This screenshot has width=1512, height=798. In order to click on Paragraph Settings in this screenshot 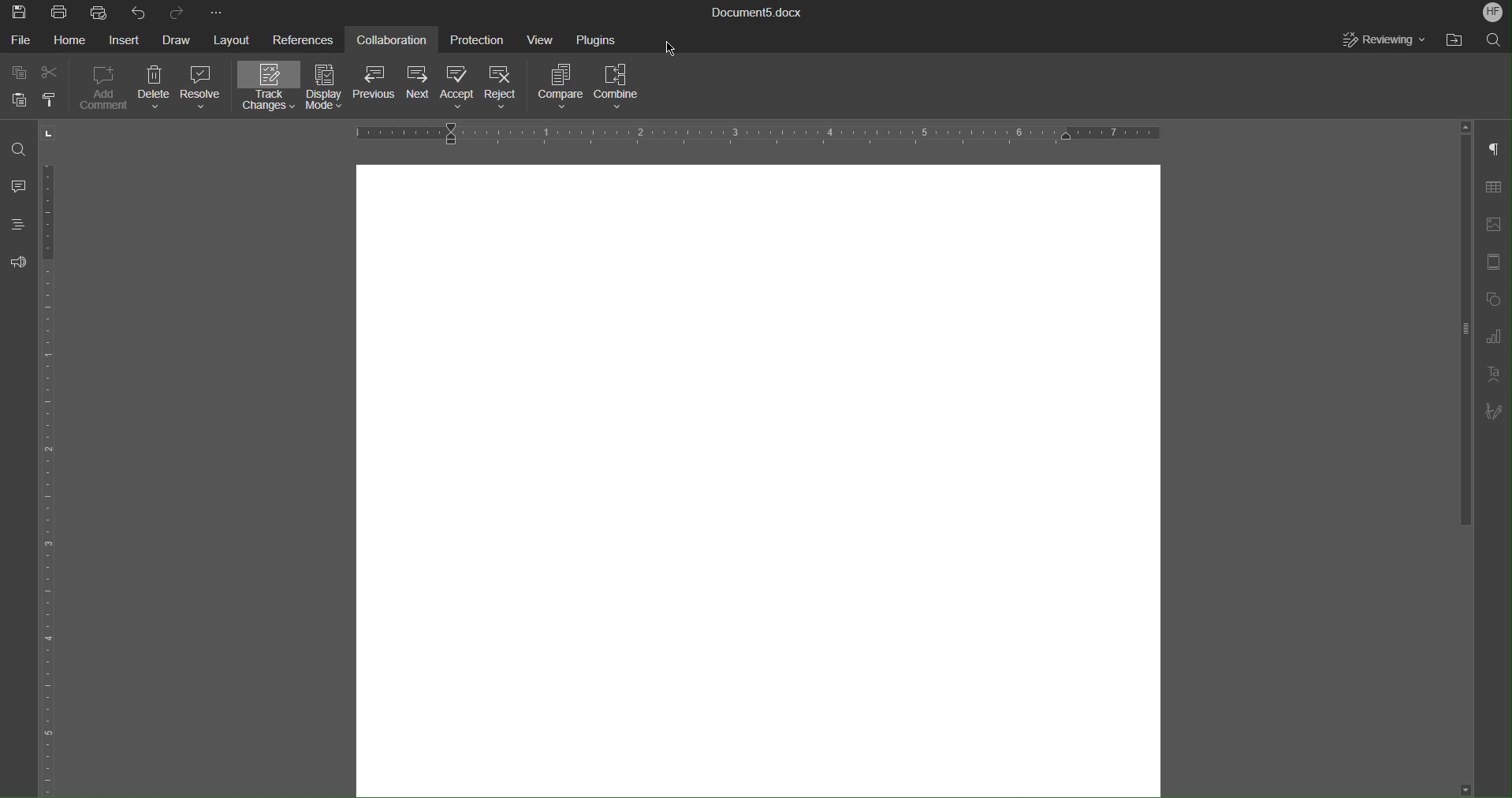, I will do `click(1492, 150)`.